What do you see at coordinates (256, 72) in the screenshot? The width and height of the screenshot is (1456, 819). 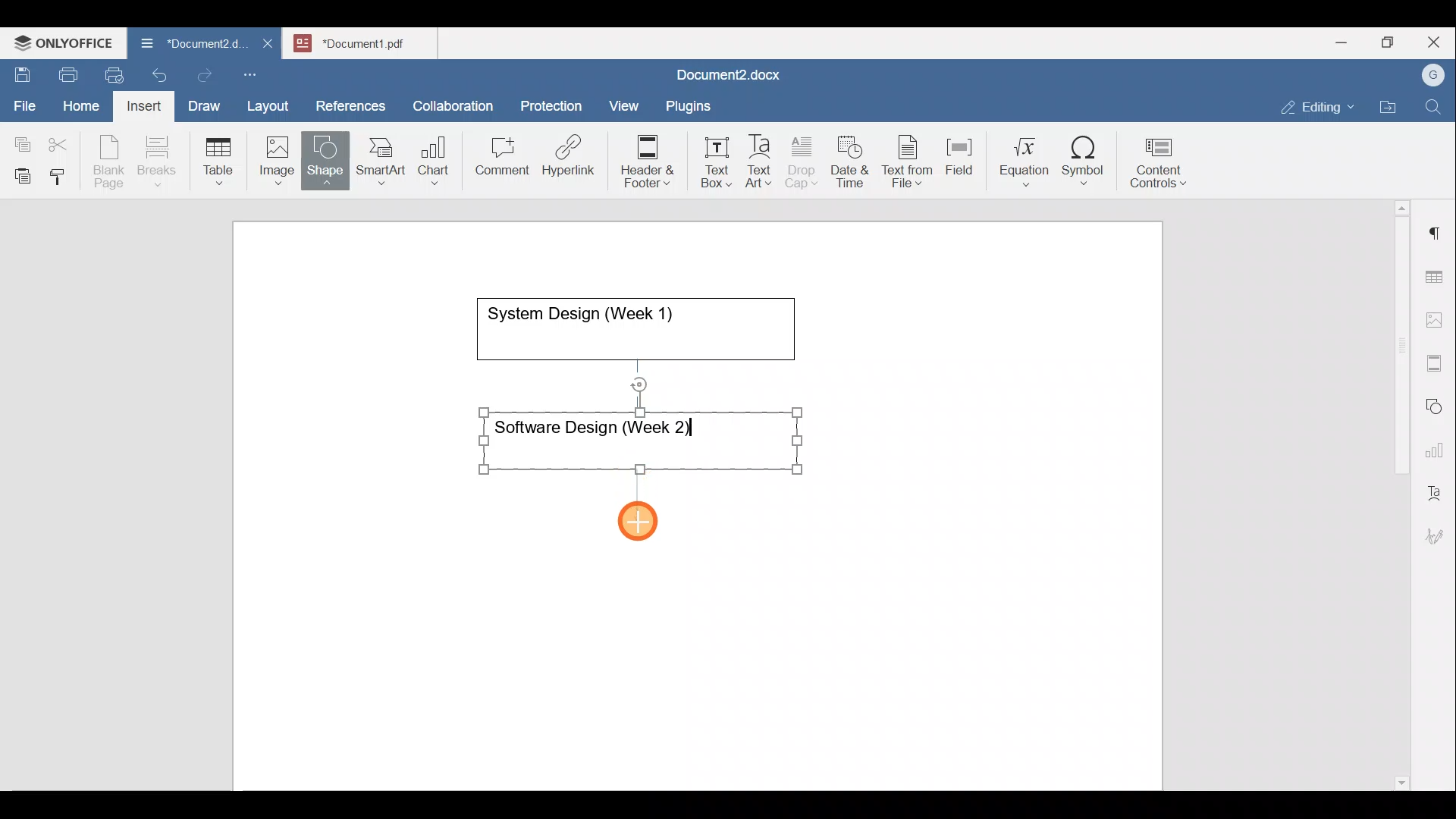 I see `Customize quick access toolbar` at bounding box center [256, 72].